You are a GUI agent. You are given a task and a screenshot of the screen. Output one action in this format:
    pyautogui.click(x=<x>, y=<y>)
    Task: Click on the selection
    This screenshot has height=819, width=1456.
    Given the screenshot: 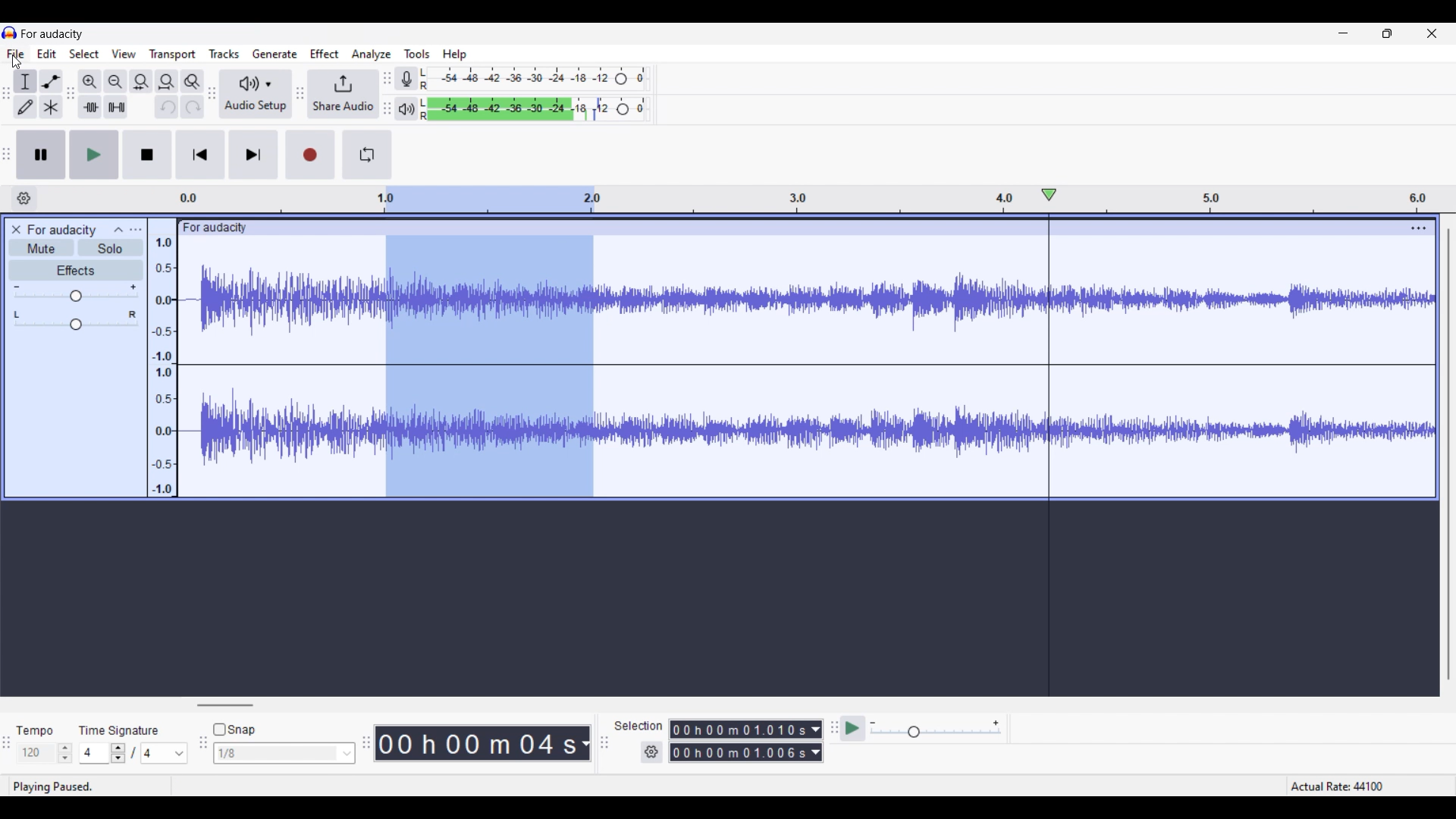 What is the action you would take?
    pyautogui.click(x=638, y=725)
    